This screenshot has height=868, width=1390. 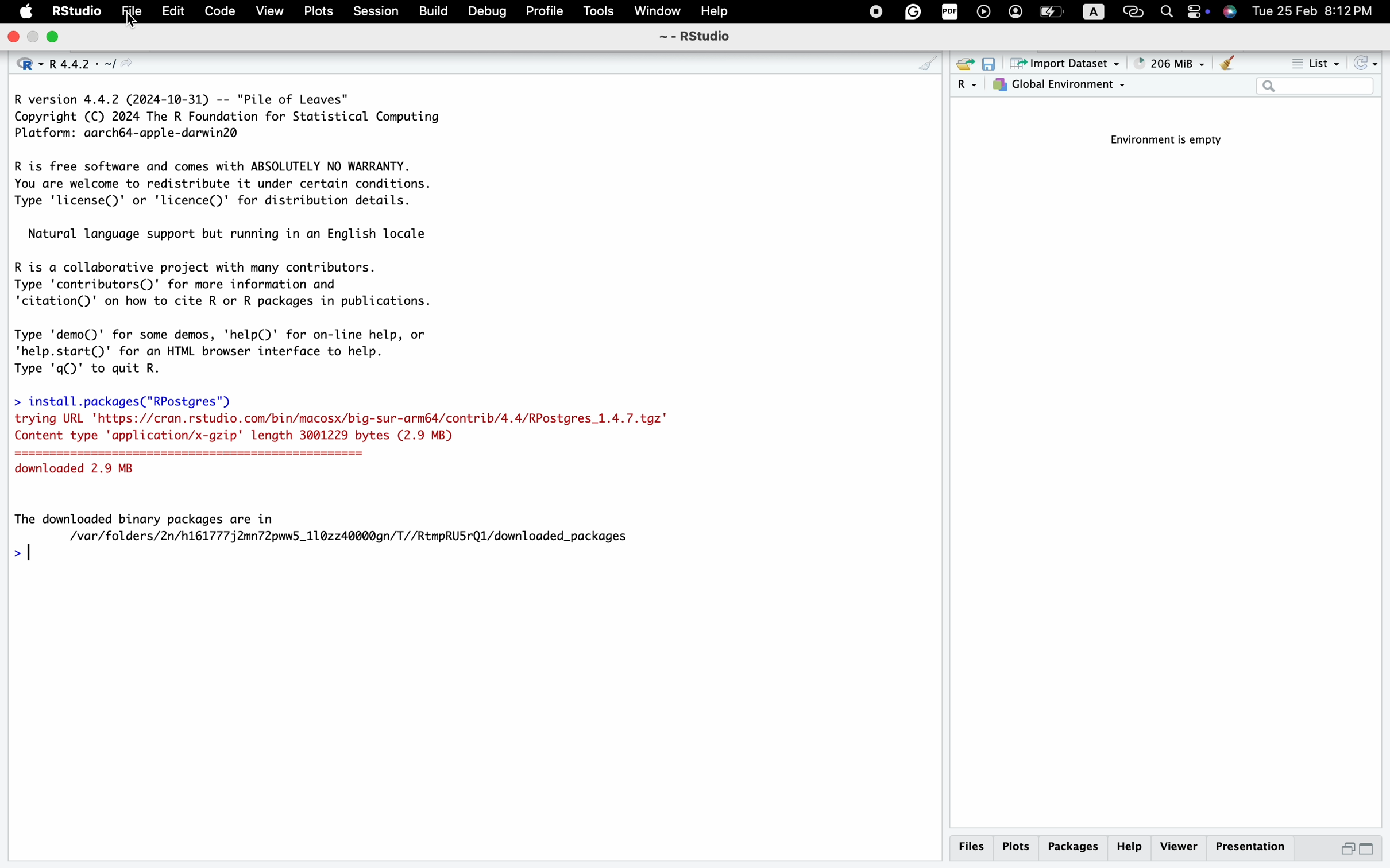 What do you see at coordinates (1342, 852) in the screenshot?
I see `minimize` at bounding box center [1342, 852].